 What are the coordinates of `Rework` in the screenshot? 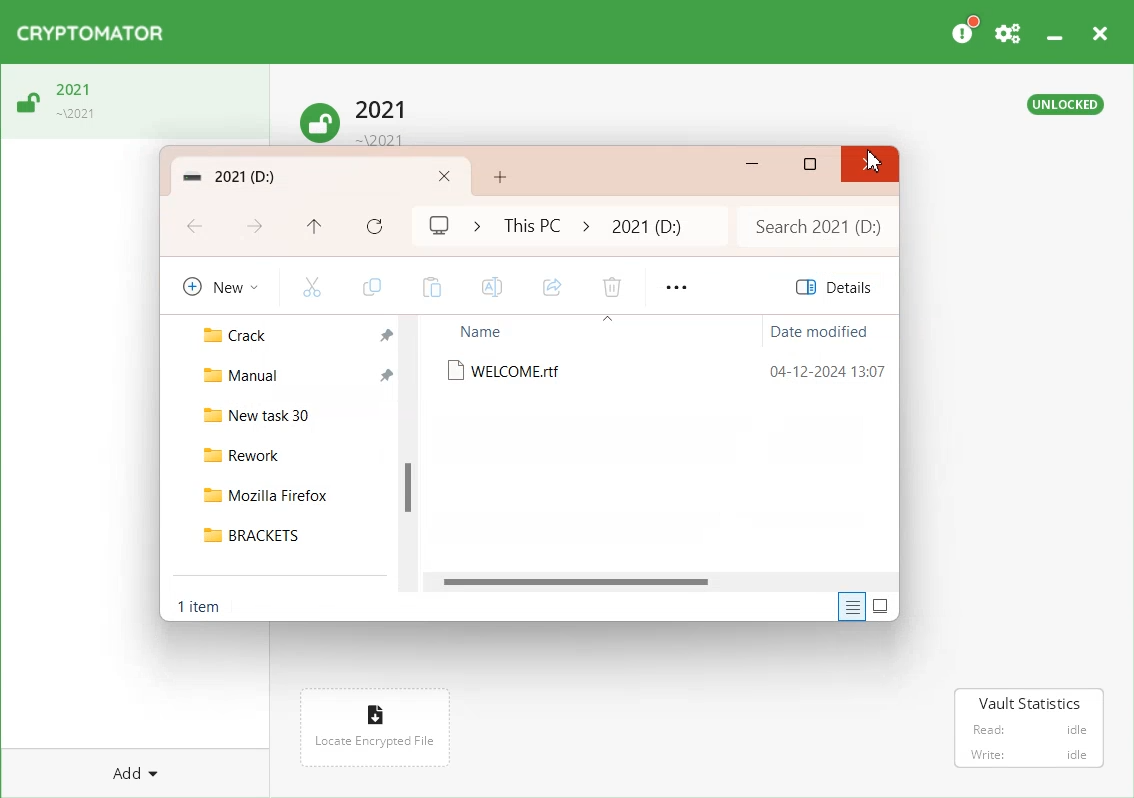 It's located at (283, 457).